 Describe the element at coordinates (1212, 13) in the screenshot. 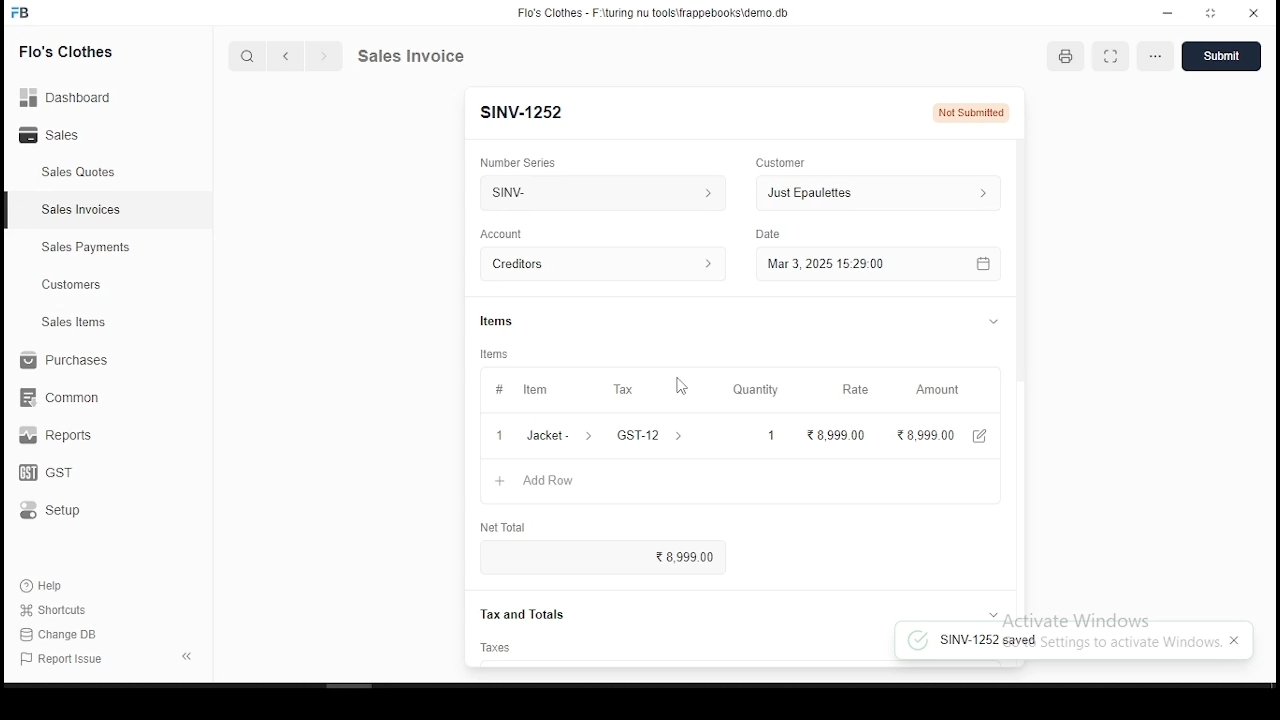

I see `maximize` at that location.